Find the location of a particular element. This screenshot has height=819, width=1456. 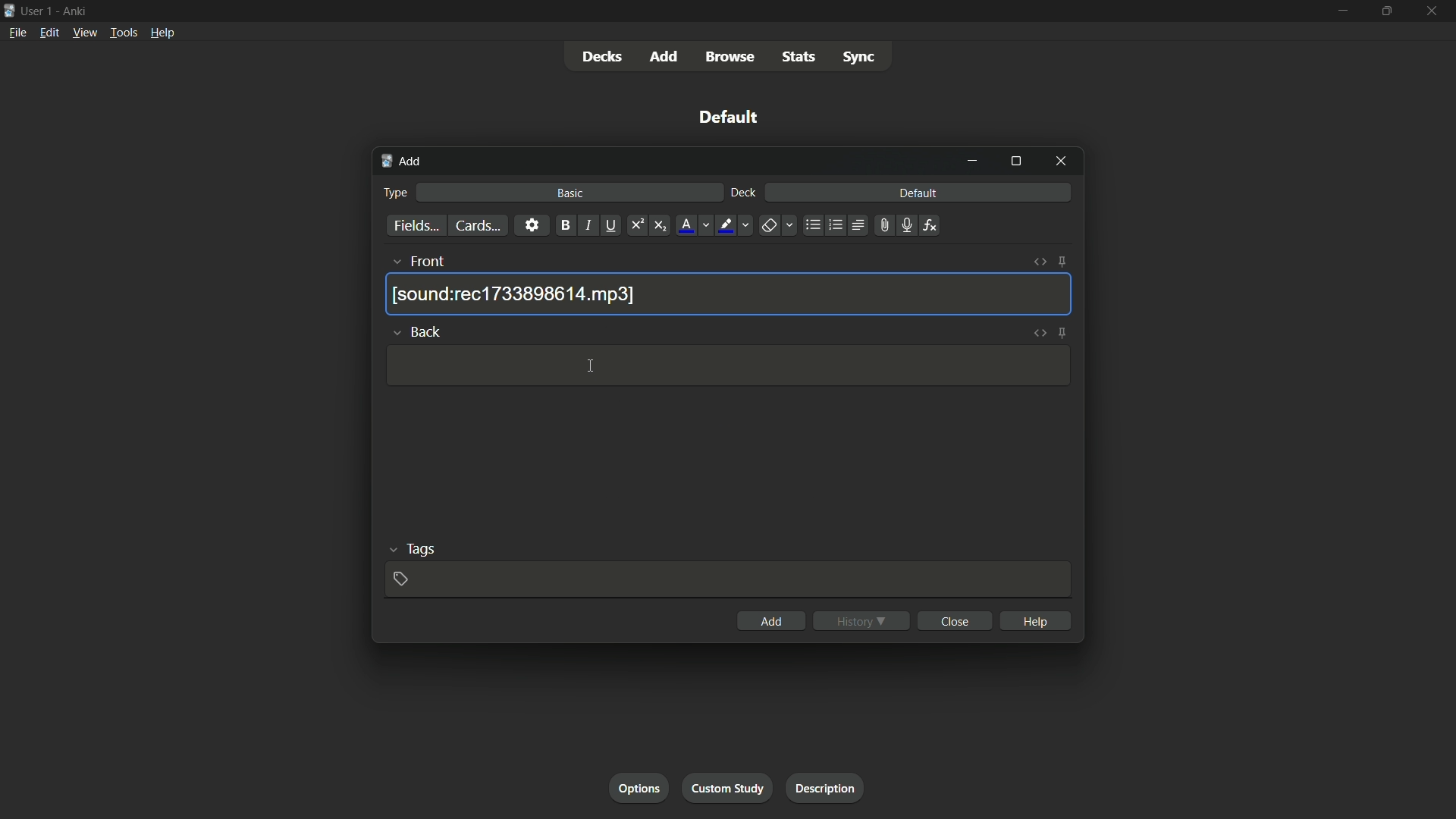

sync is located at coordinates (858, 59).